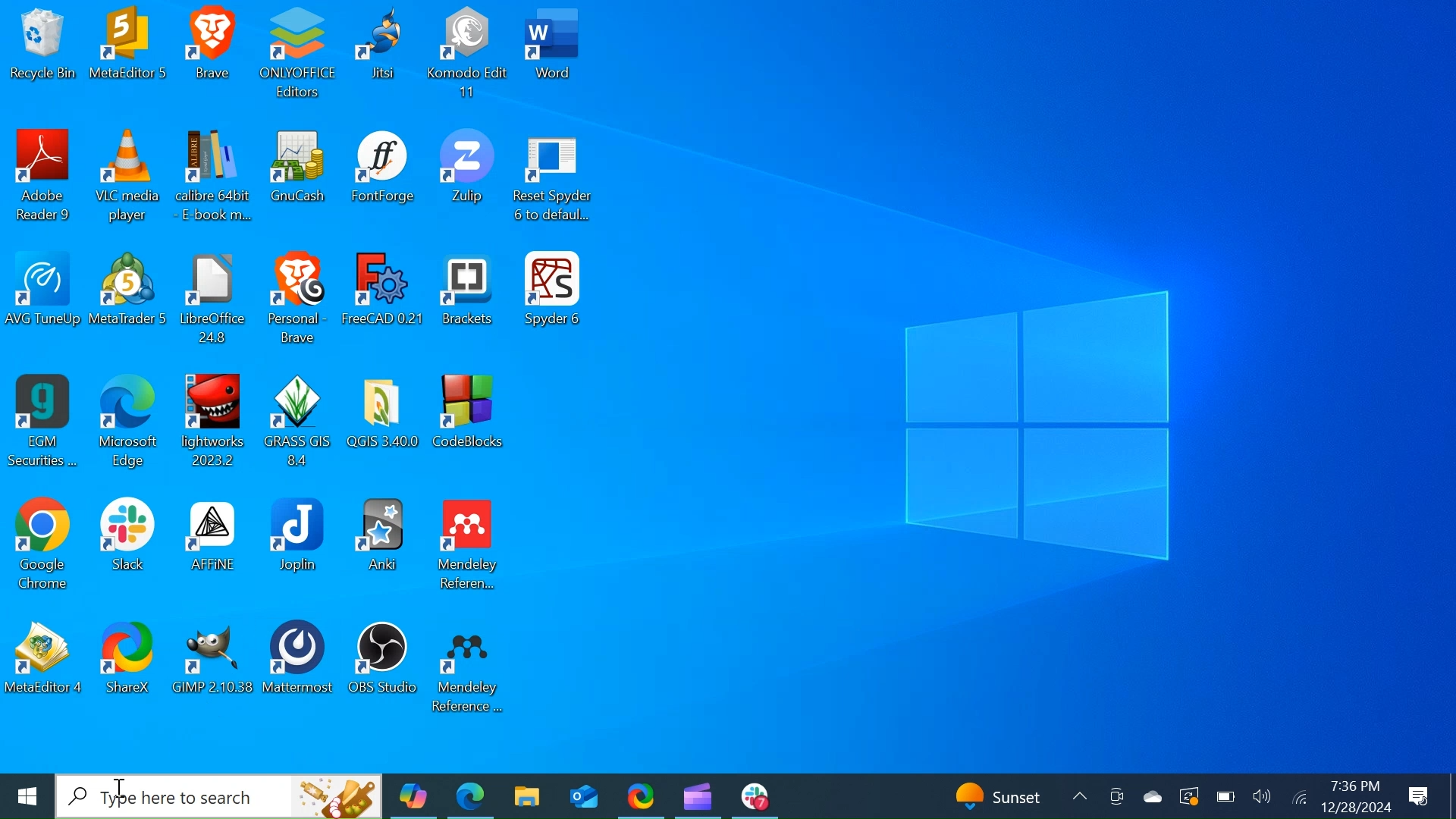 The image size is (1456, 819). Describe the element at coordinates (1116, 798) in the screenshot. I see `Meet now` at that location.